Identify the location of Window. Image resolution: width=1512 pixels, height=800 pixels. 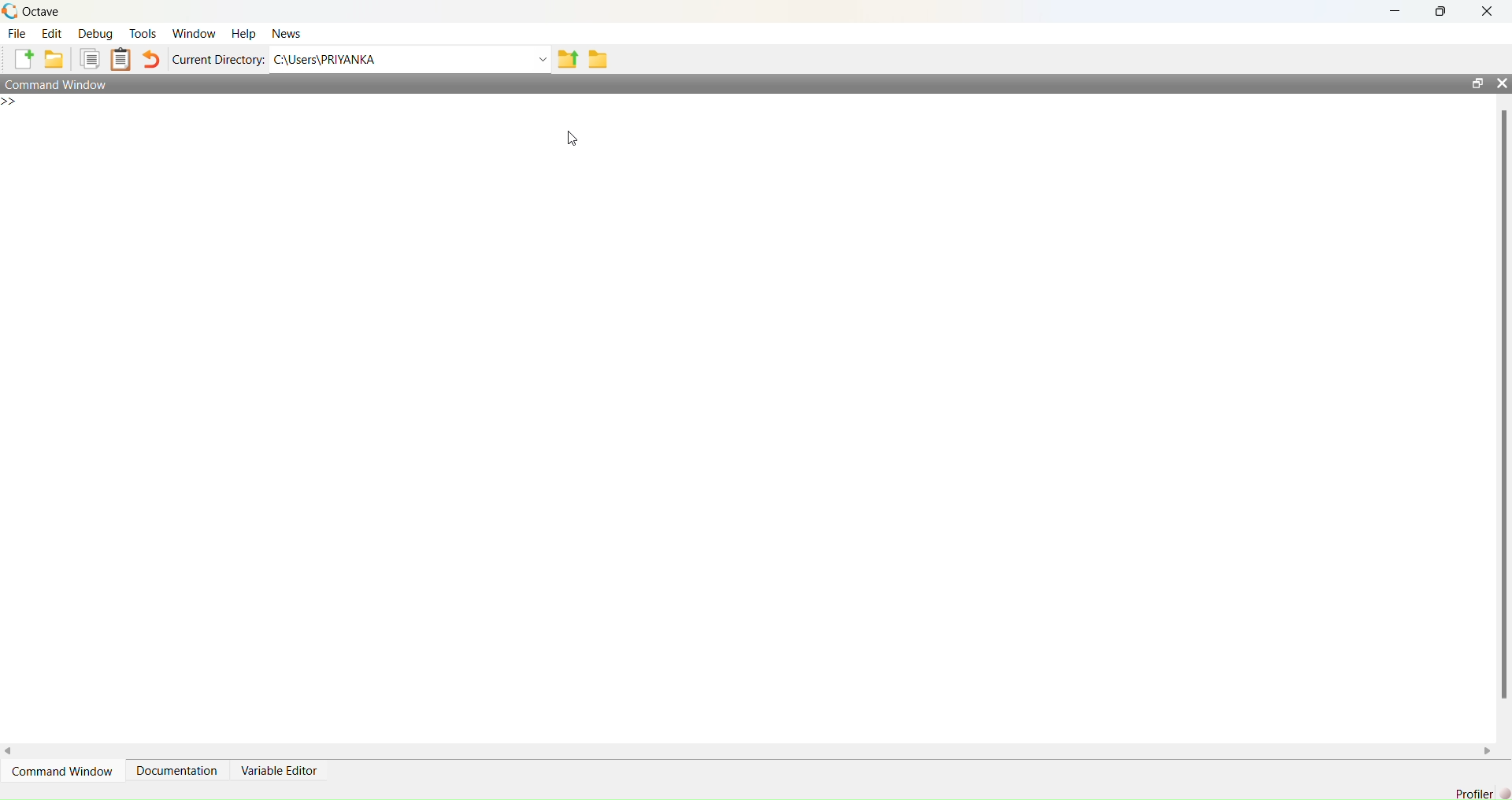
(196, 33).